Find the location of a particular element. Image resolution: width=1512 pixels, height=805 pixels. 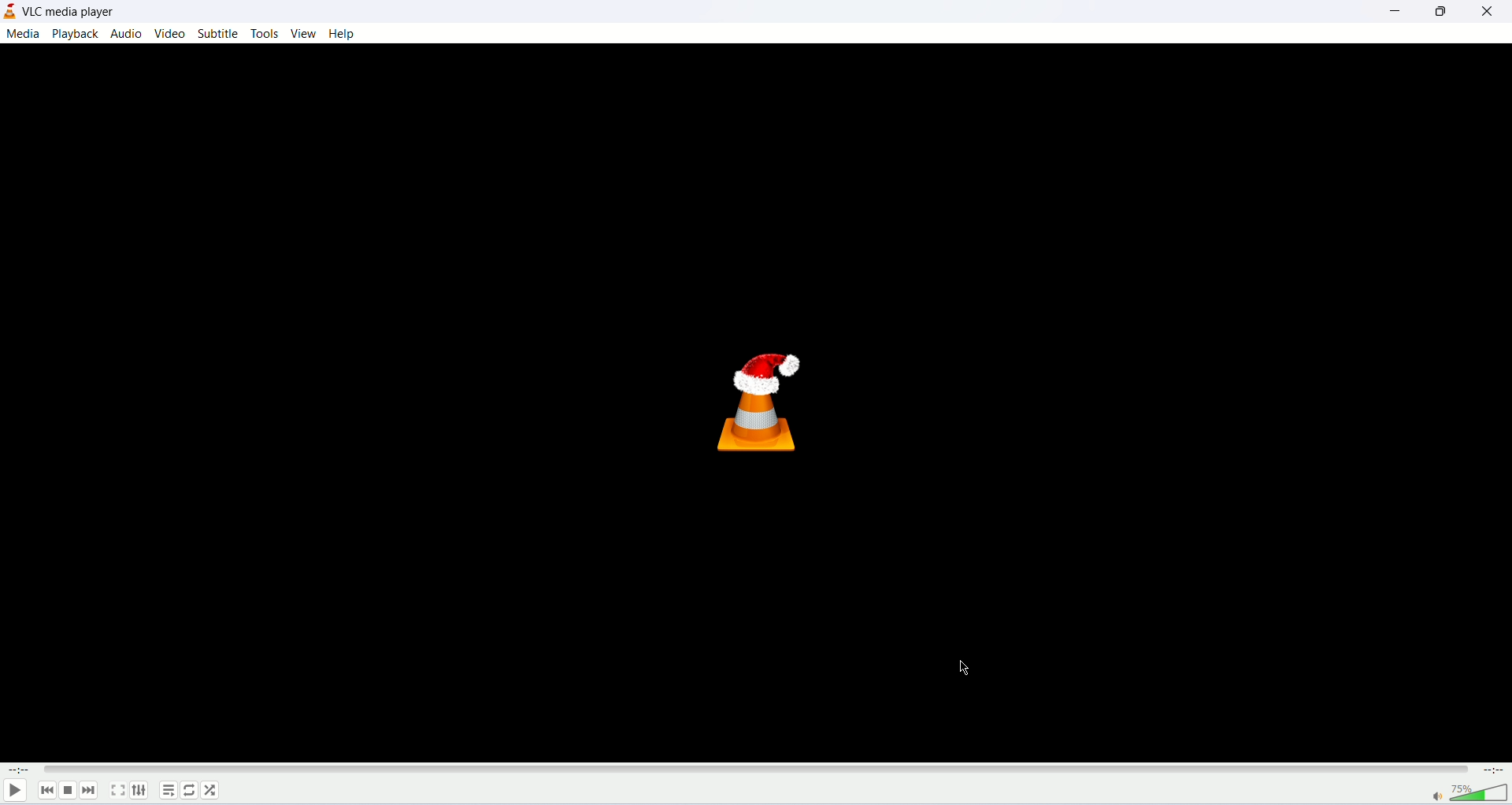

next is located at coordinates (94, 793).